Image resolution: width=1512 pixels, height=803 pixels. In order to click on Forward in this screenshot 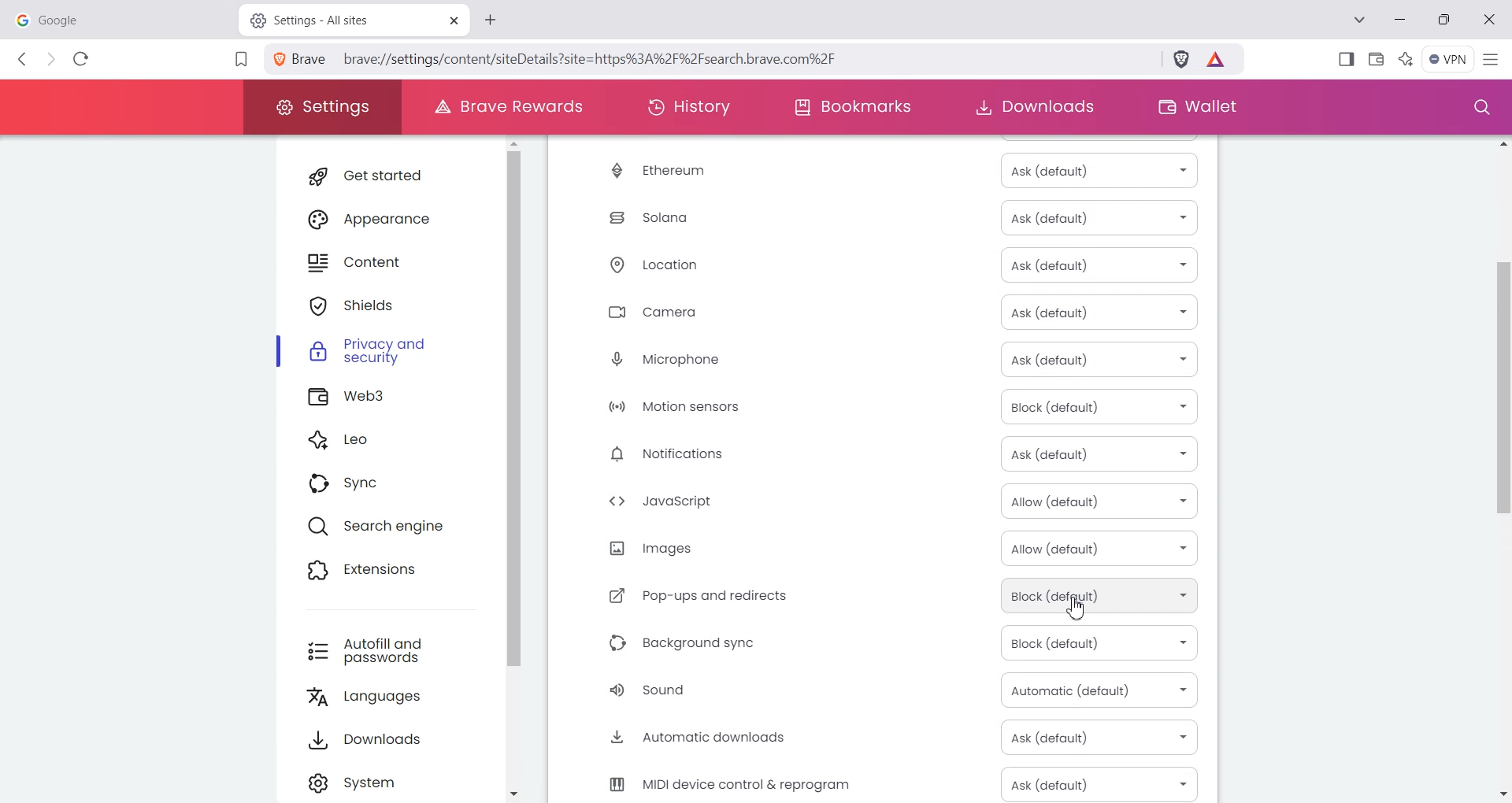, I will do `click(50, 60)`.